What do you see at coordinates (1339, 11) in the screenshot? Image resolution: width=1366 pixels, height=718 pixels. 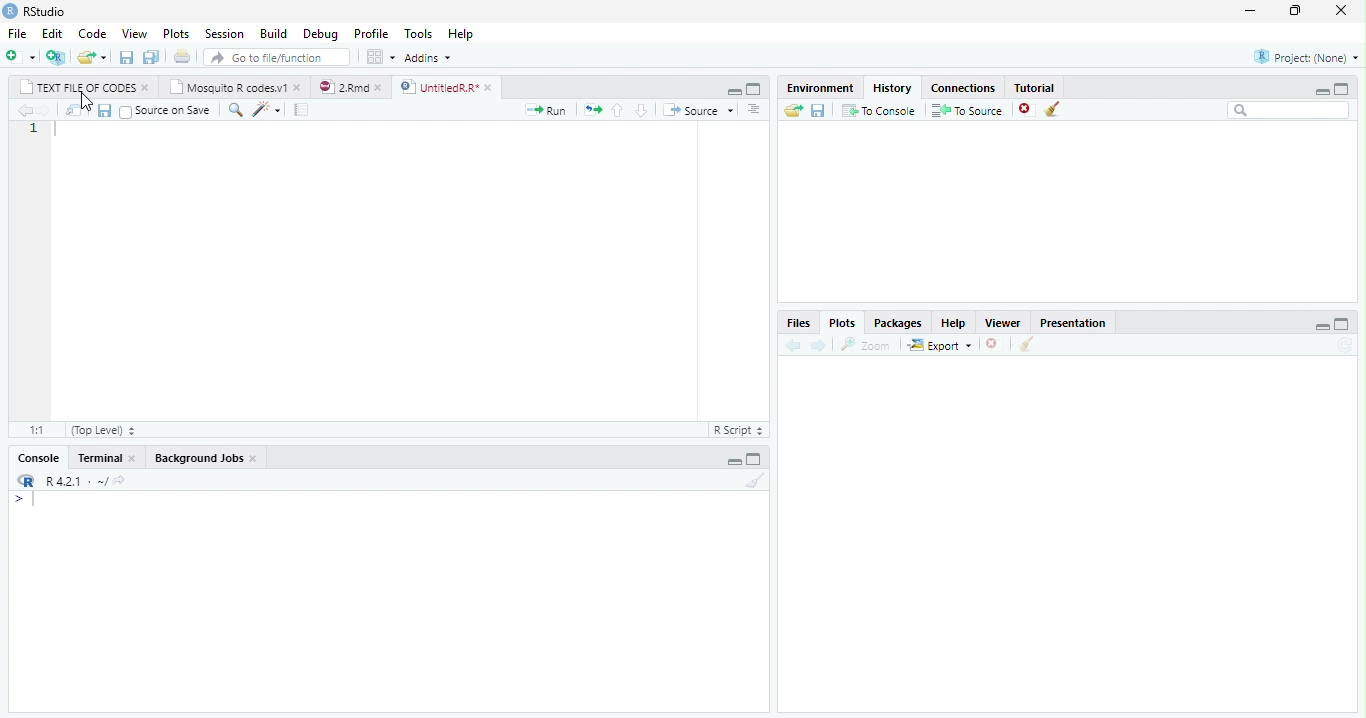 I see `close` at bounding box center [1339, 11].